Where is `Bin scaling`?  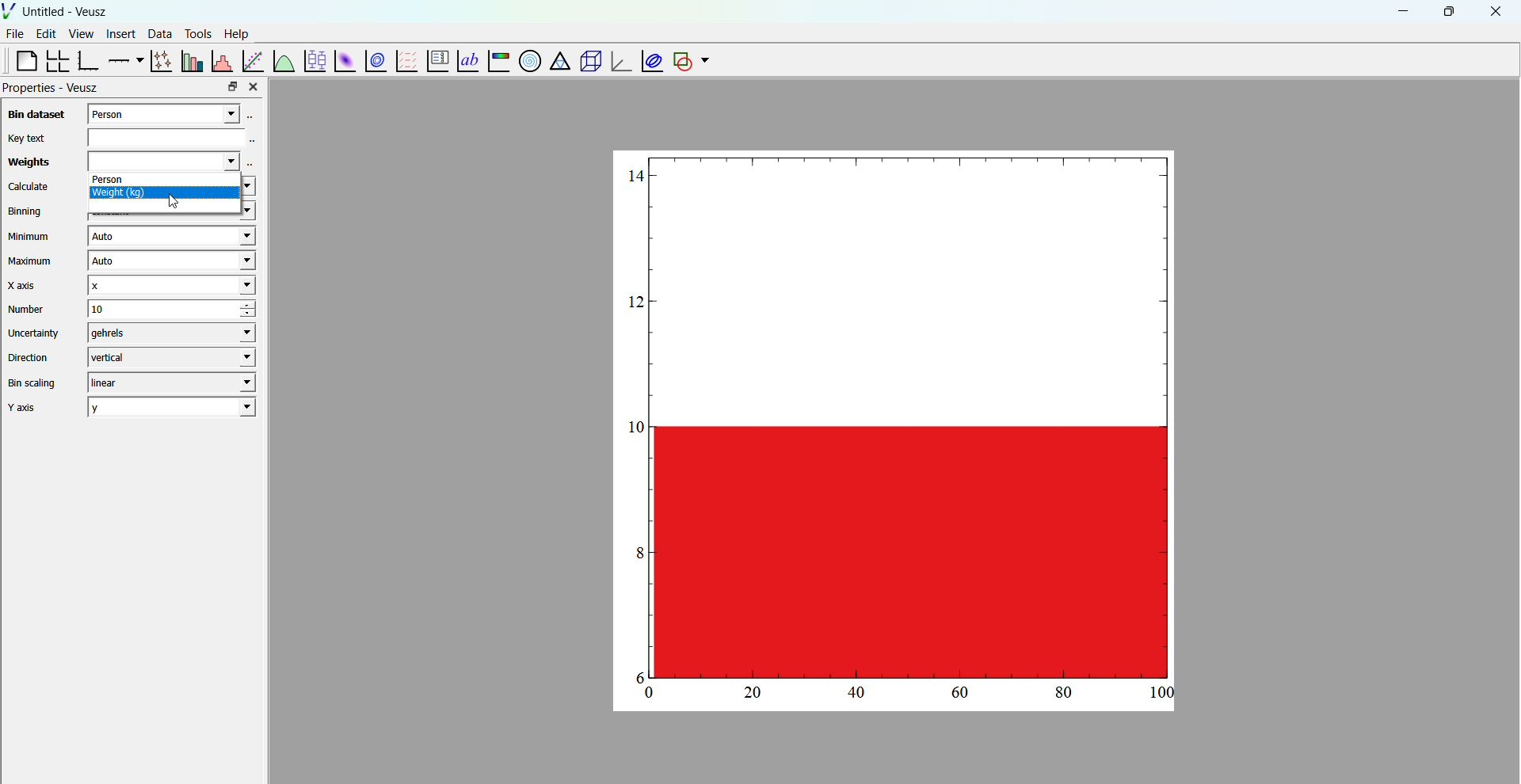
Bin scaling is located at coordinates (32, 383).